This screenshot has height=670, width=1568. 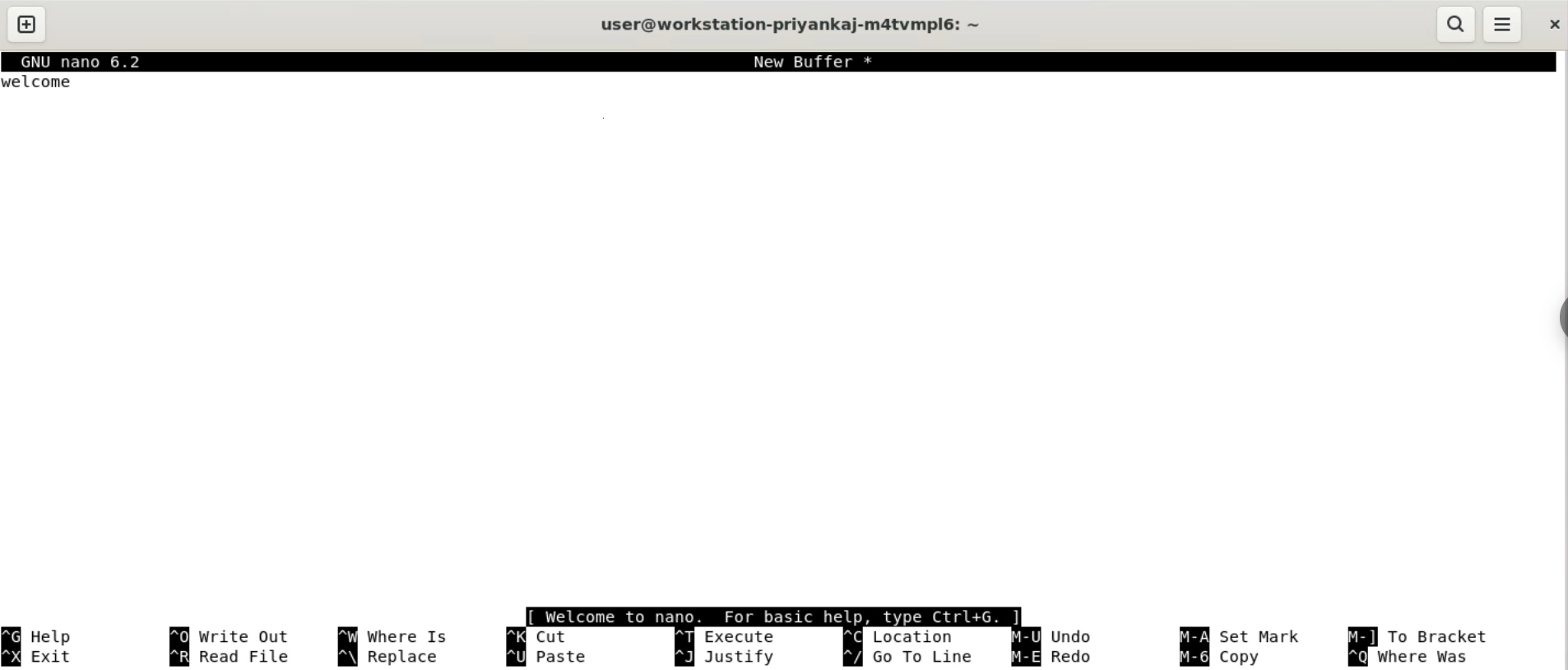 What do you see at coordinates (28, 23) in the screenshot?
I see `new tab` at bounding box center [28, 23].